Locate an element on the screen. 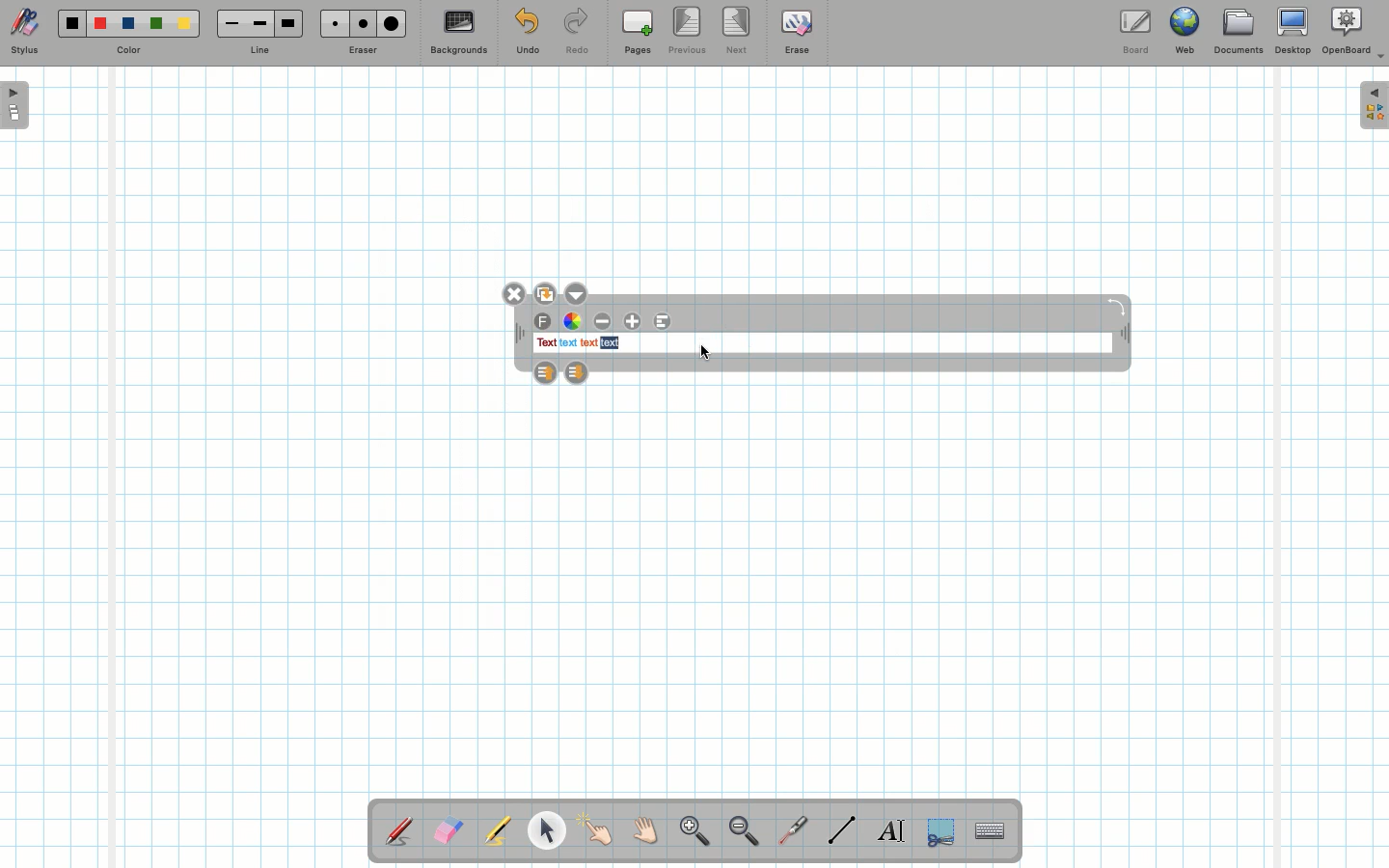 The image size is (1389, 868). Blue is located at coordinates (129, 24).